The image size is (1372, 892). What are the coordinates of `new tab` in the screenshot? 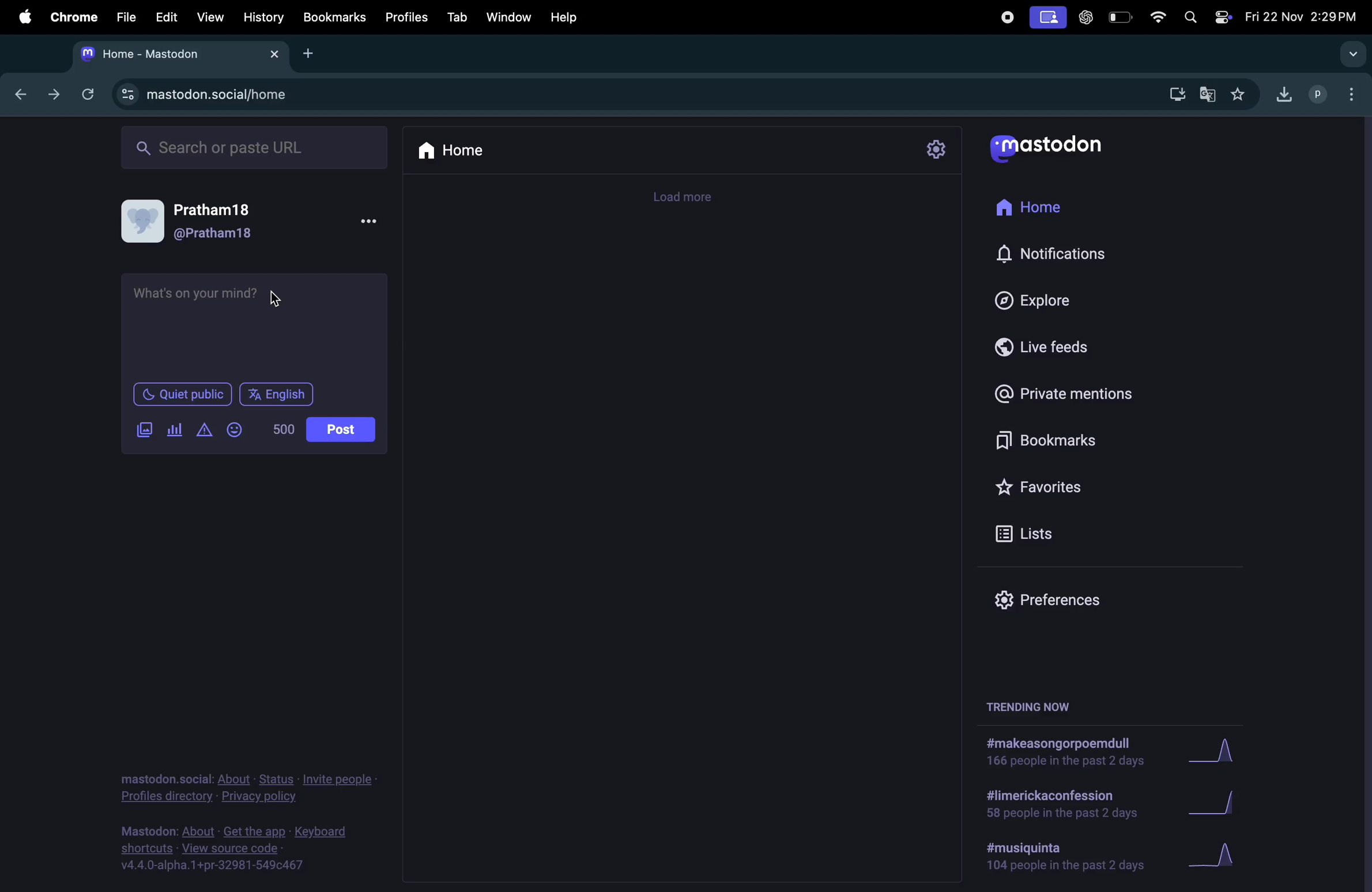 It's located at (308, 56).